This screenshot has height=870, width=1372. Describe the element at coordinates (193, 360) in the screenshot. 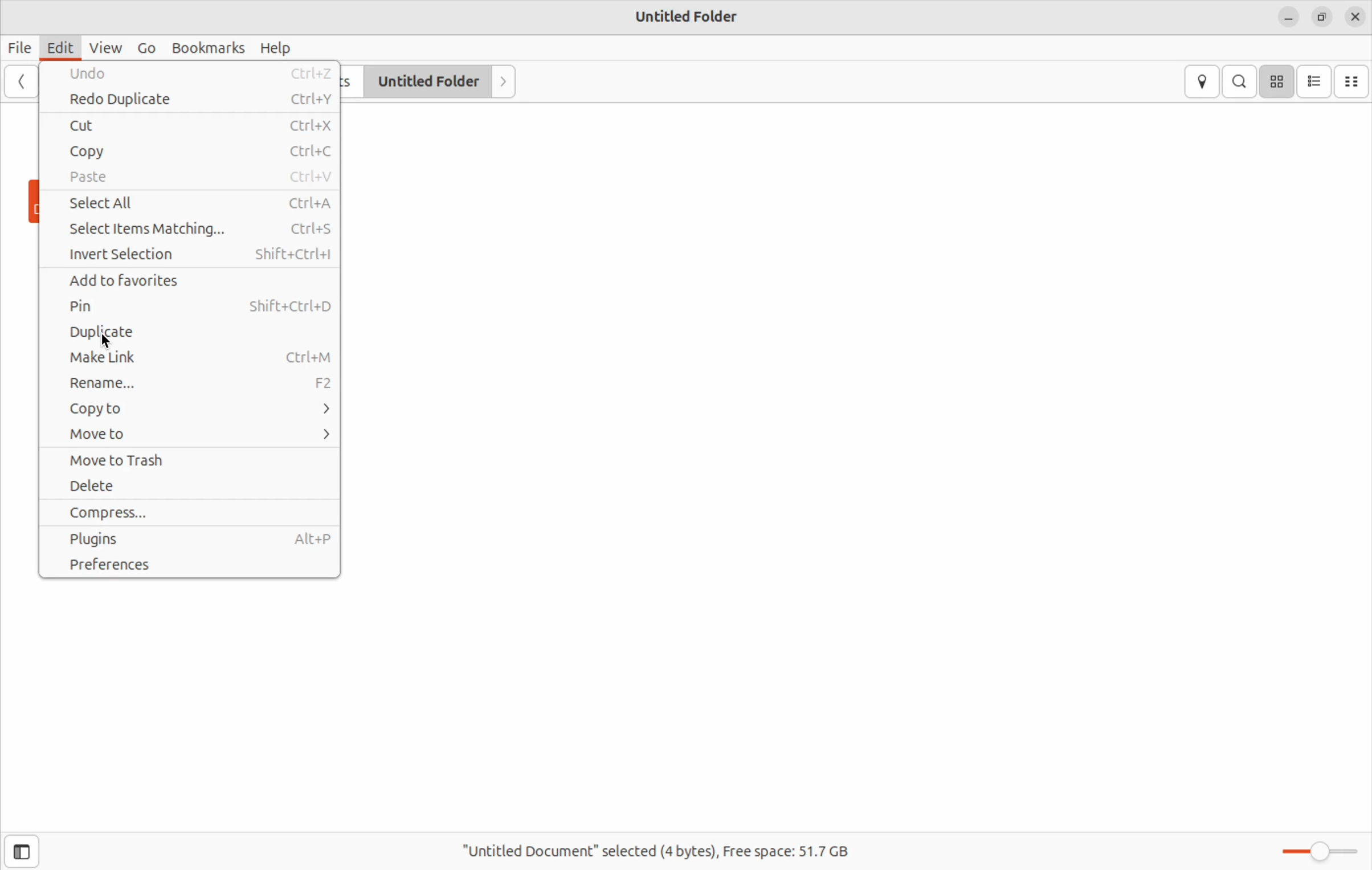

I see `Make Link` at that location.